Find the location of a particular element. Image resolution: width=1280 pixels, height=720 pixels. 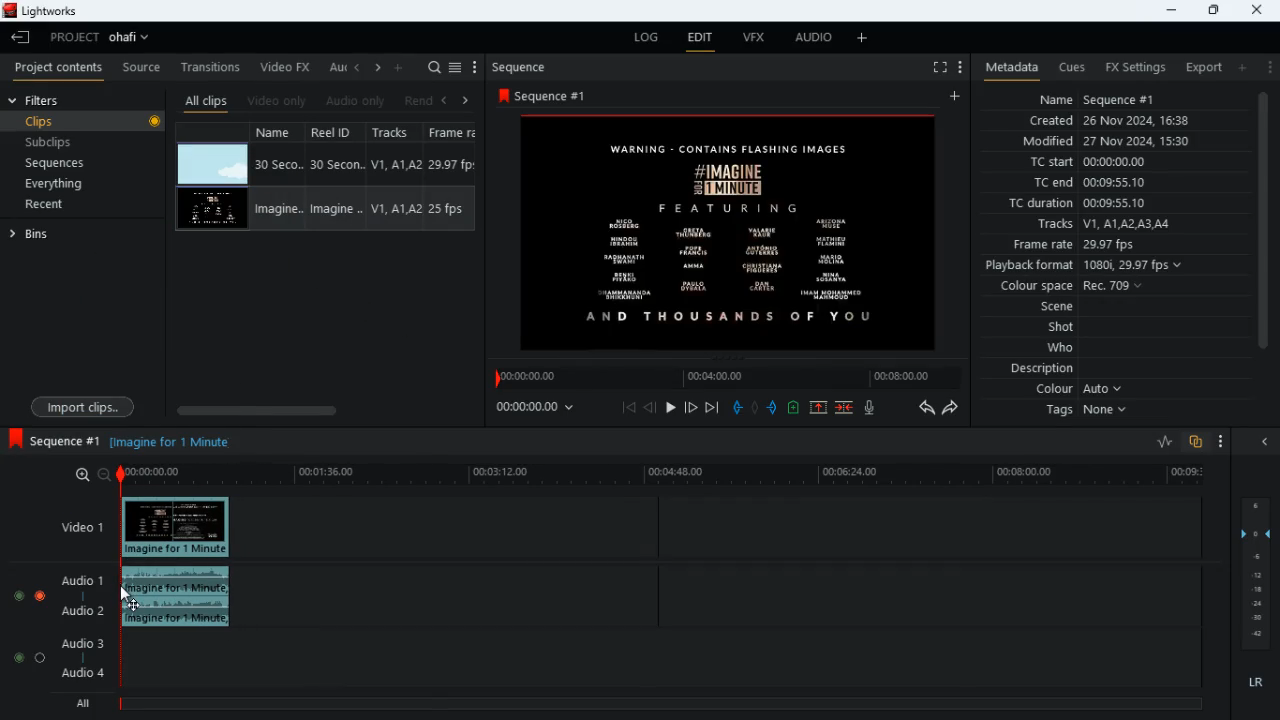

subclips is located at coordinates (51, 145).